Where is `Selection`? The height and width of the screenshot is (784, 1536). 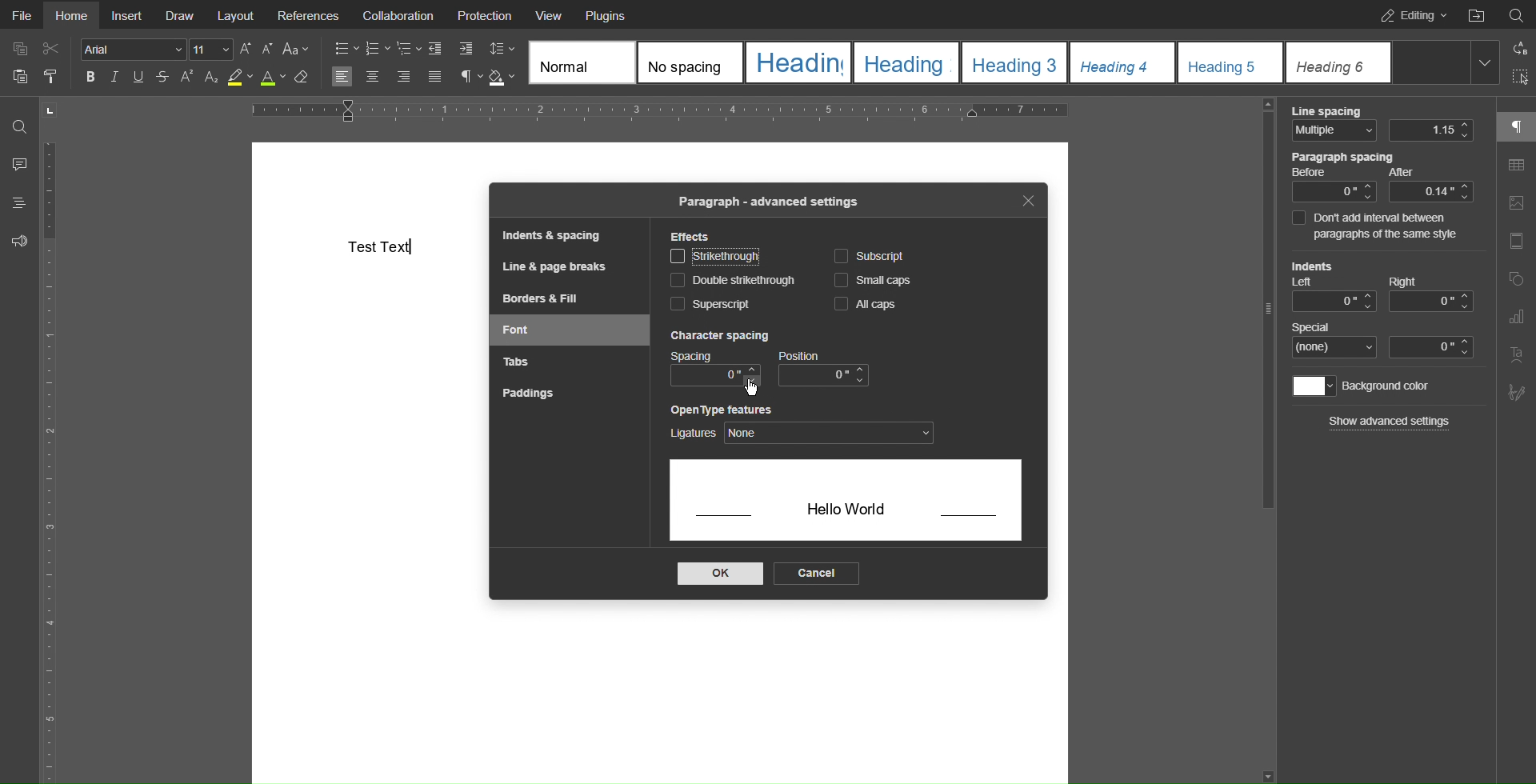
Selection is located at coordinates (1517, 78).